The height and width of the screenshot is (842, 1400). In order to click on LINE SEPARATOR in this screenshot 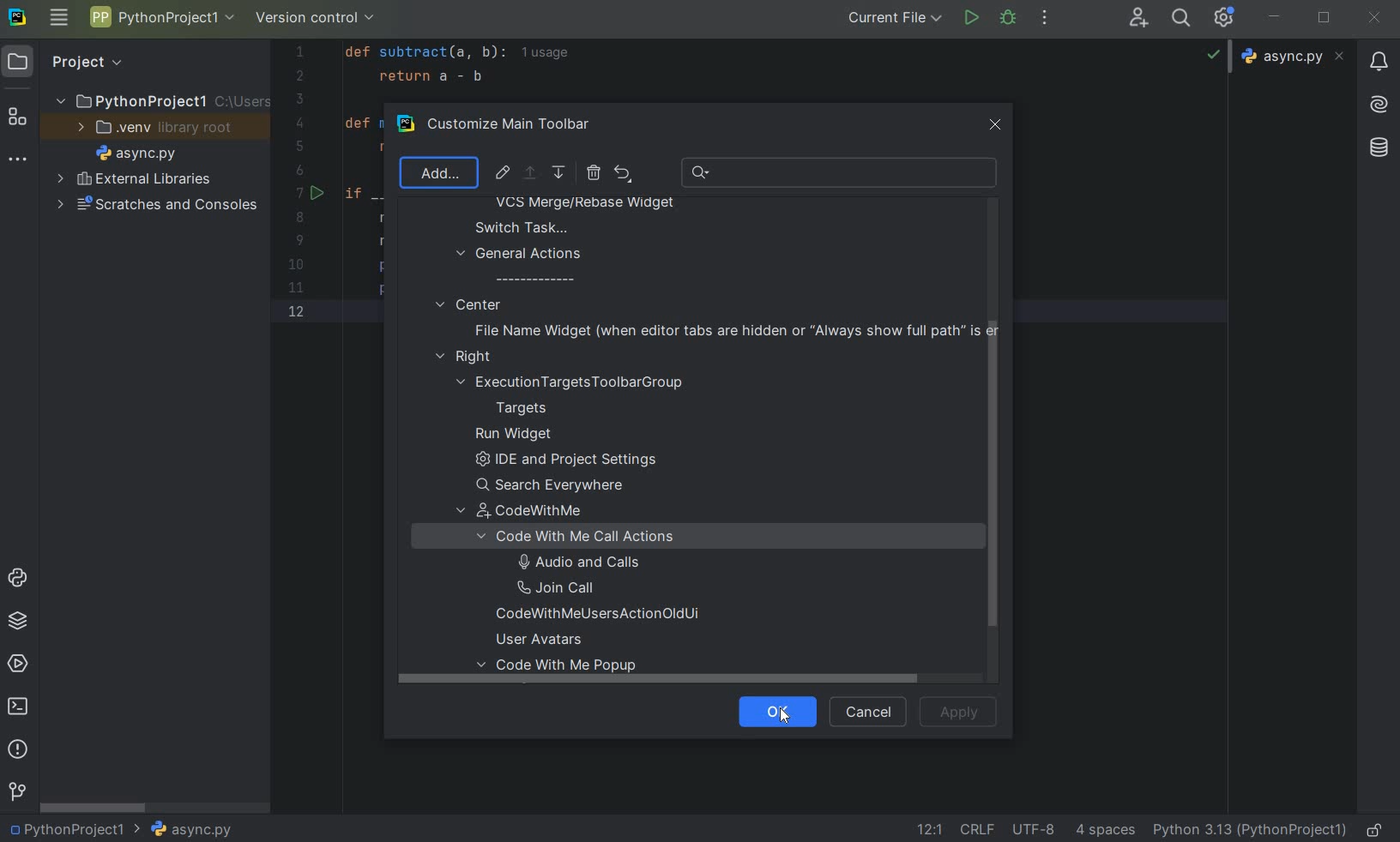, I will do `click(979, 828)`.